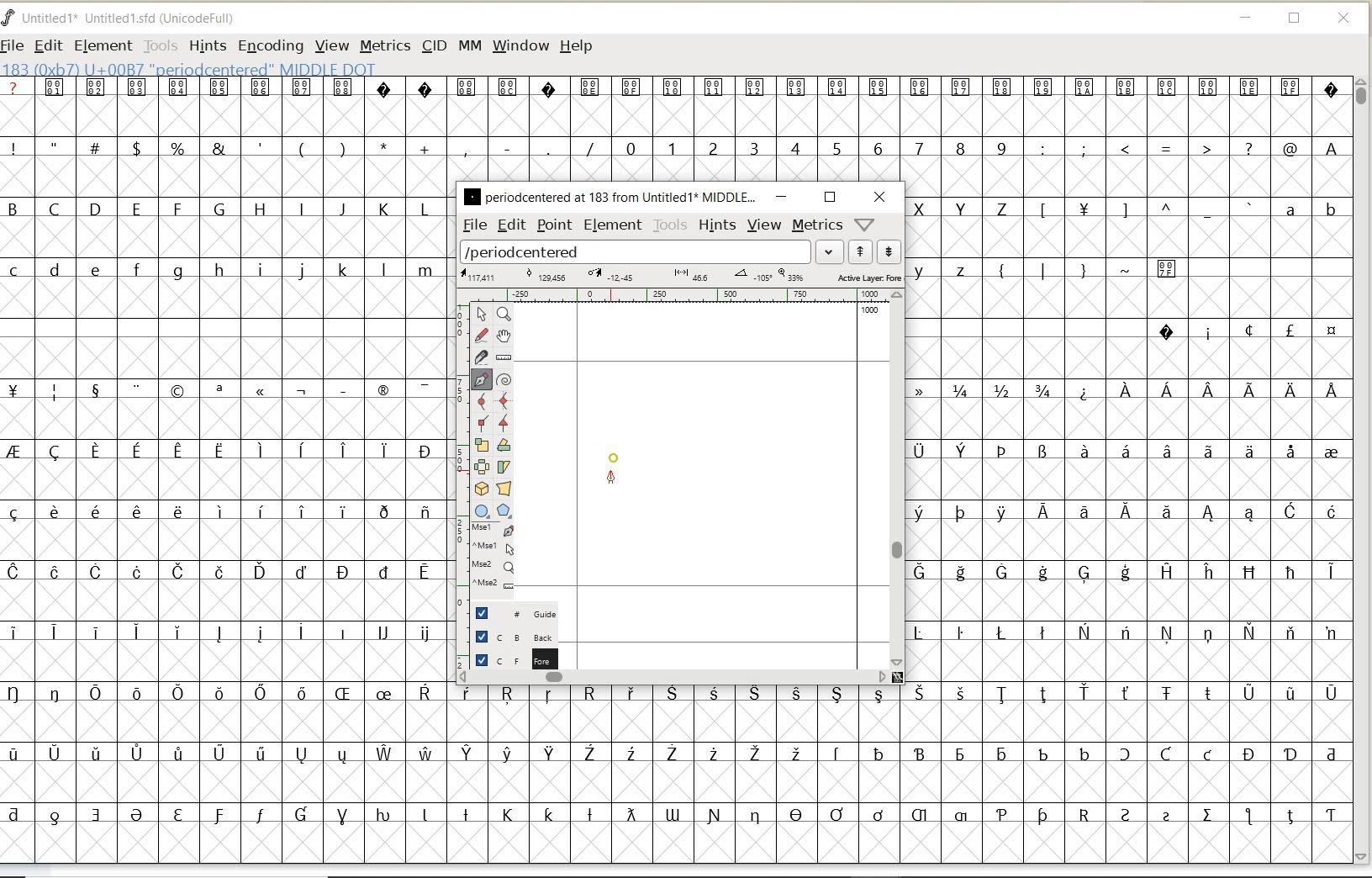  I want to click on scrollbar, so click(899, 478).